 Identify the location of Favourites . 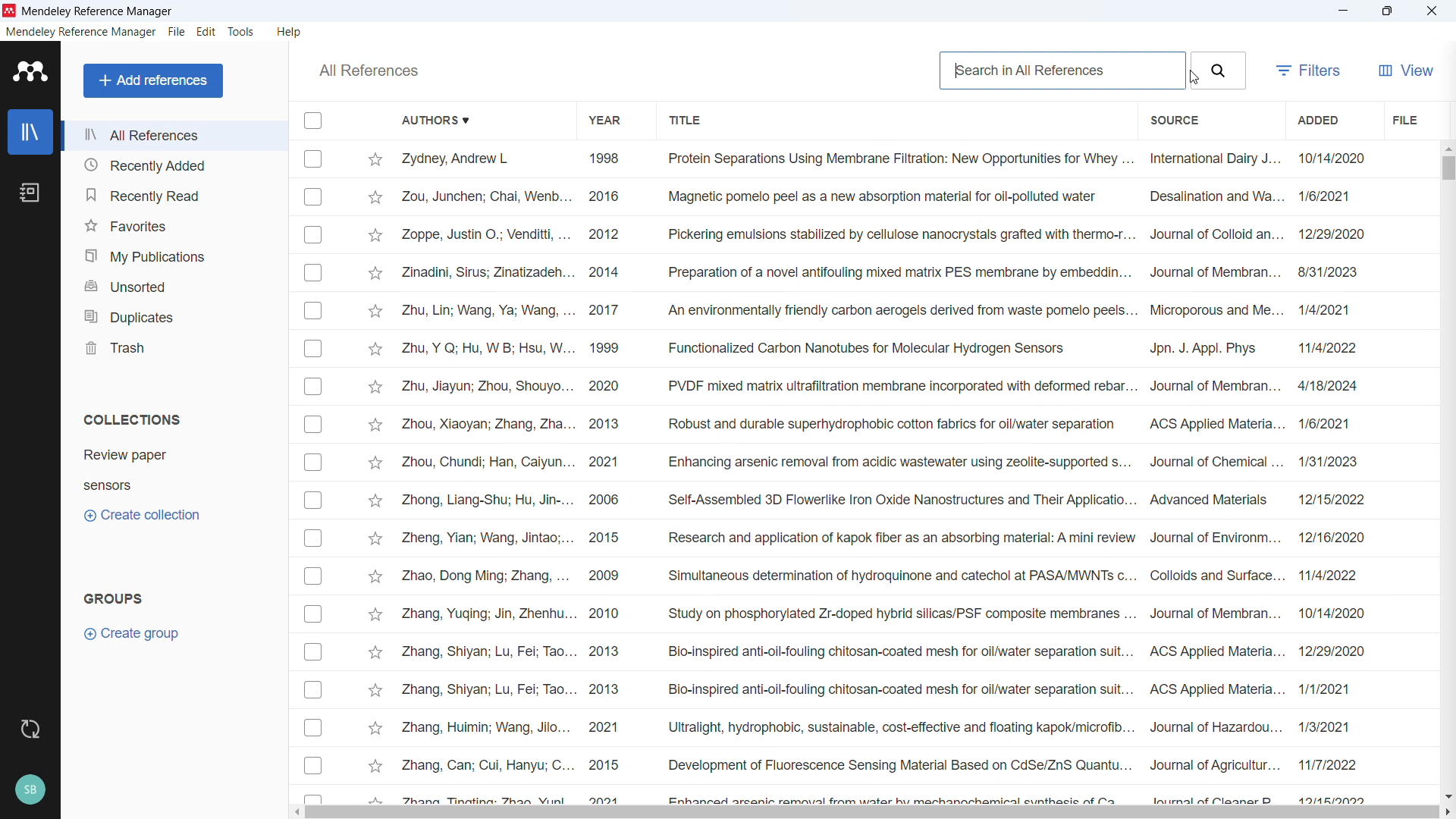
(174, 224).